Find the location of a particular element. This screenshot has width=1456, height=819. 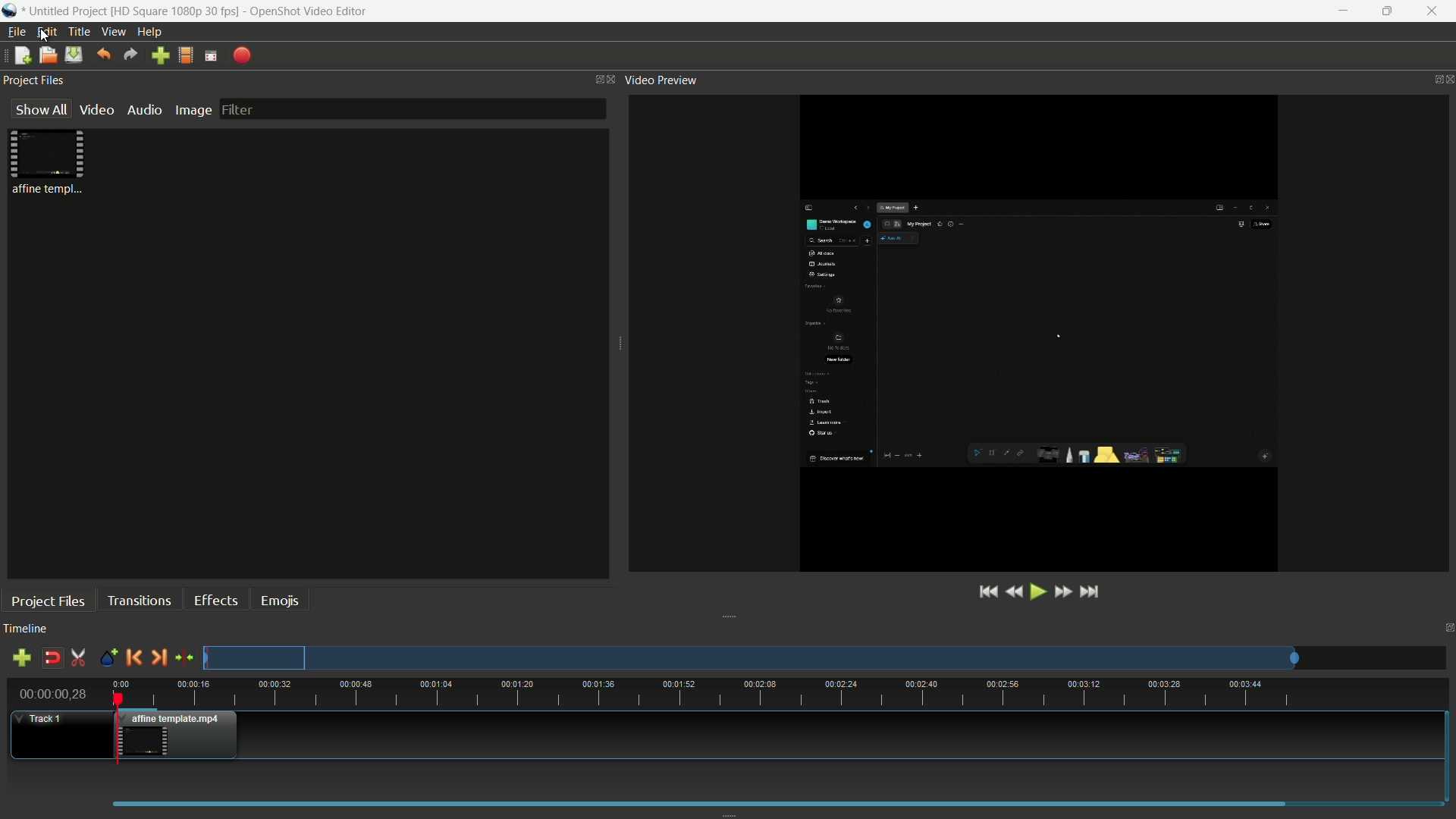

import file is located at coordinates (161, 56).